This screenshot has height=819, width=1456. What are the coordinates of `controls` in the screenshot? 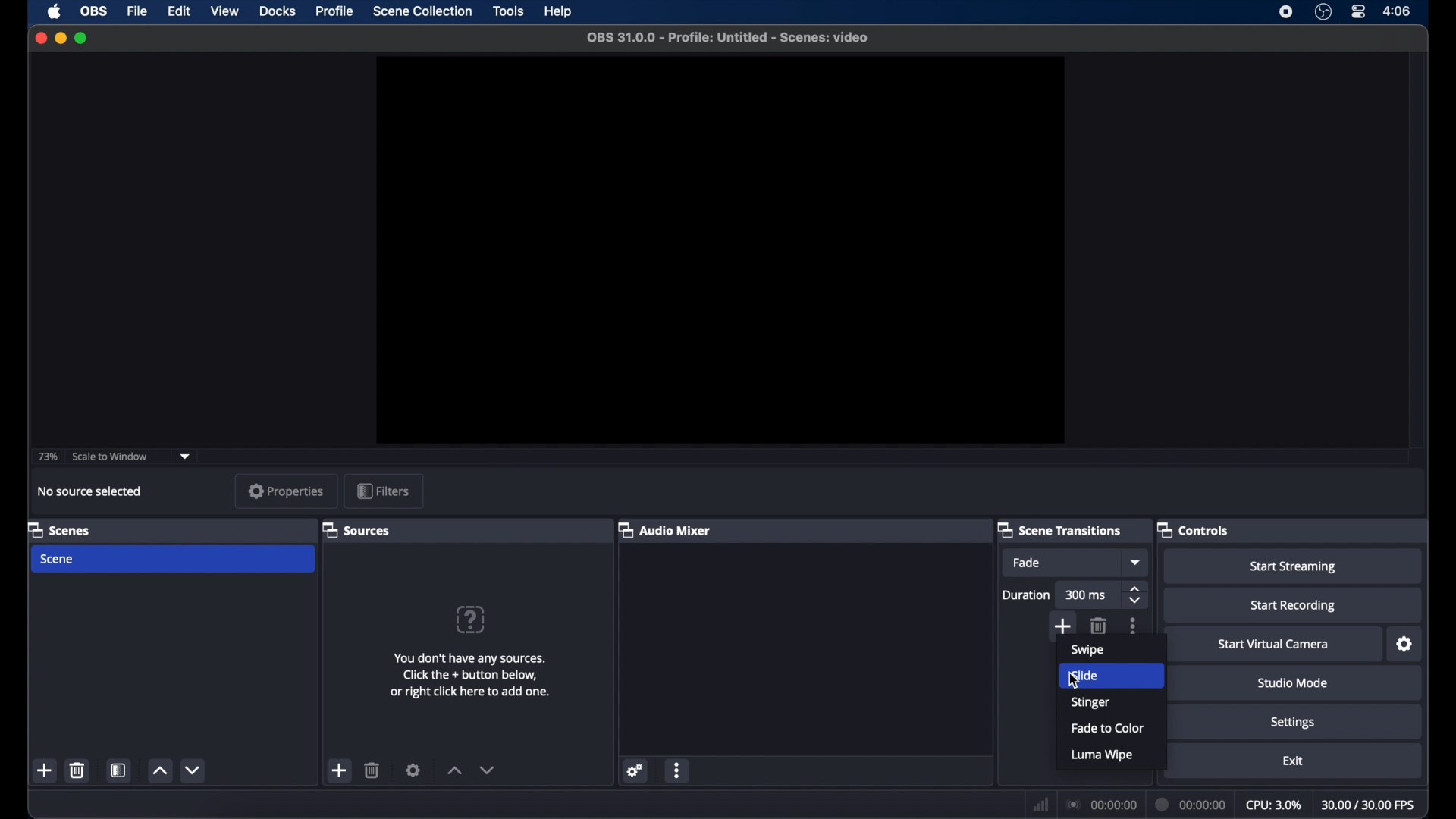 It's located at (1194, 531).